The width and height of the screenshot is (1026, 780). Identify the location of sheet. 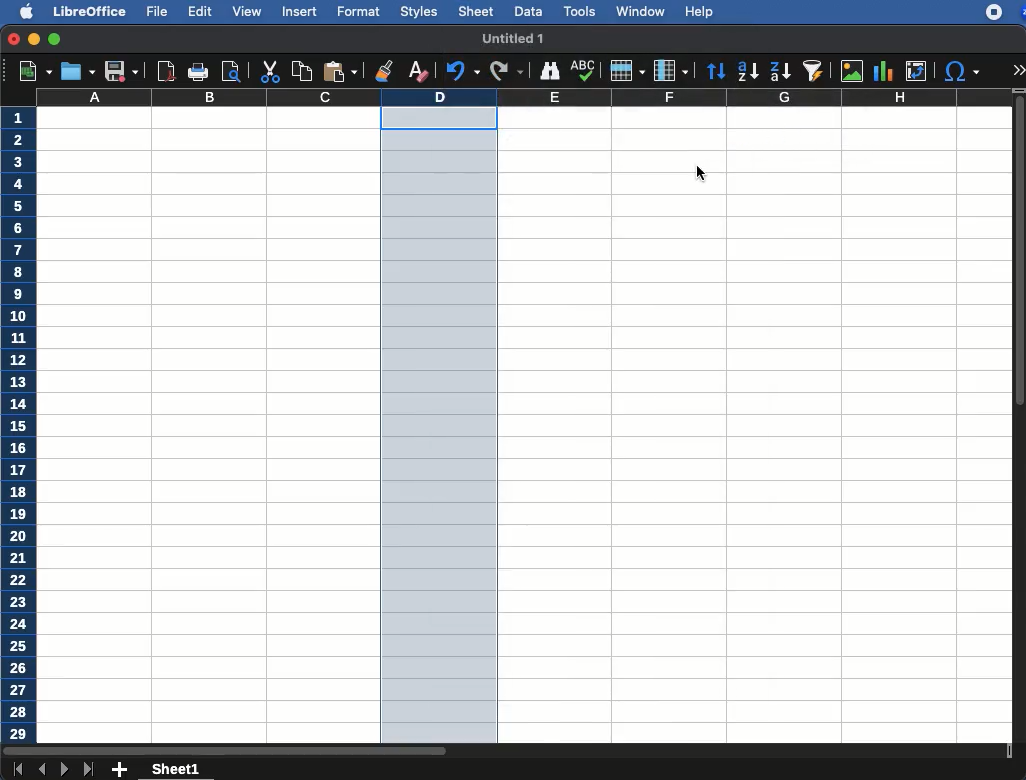
(475, 12).